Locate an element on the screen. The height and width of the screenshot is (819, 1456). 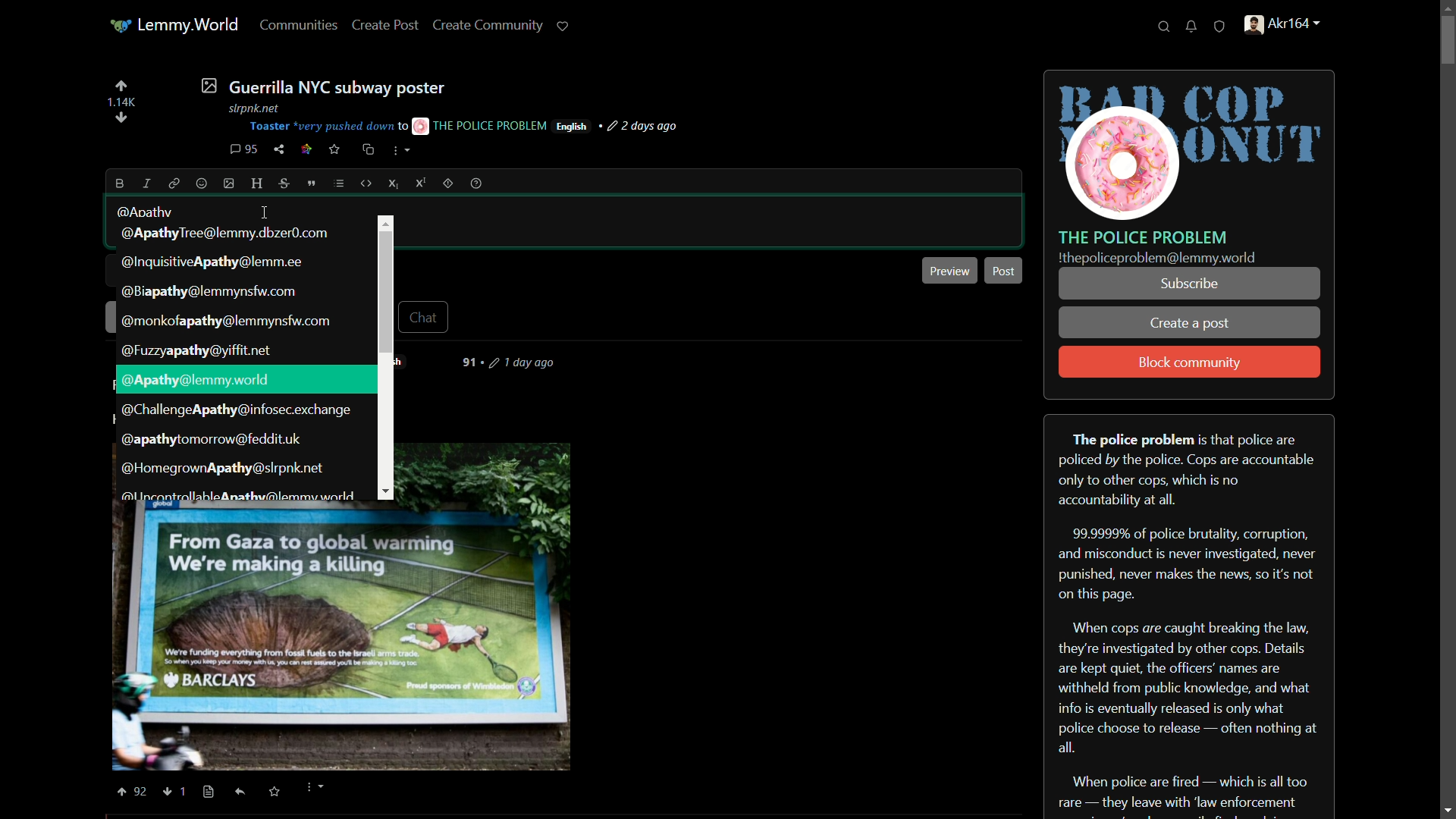
communities  is located at coordinates (300, 24).